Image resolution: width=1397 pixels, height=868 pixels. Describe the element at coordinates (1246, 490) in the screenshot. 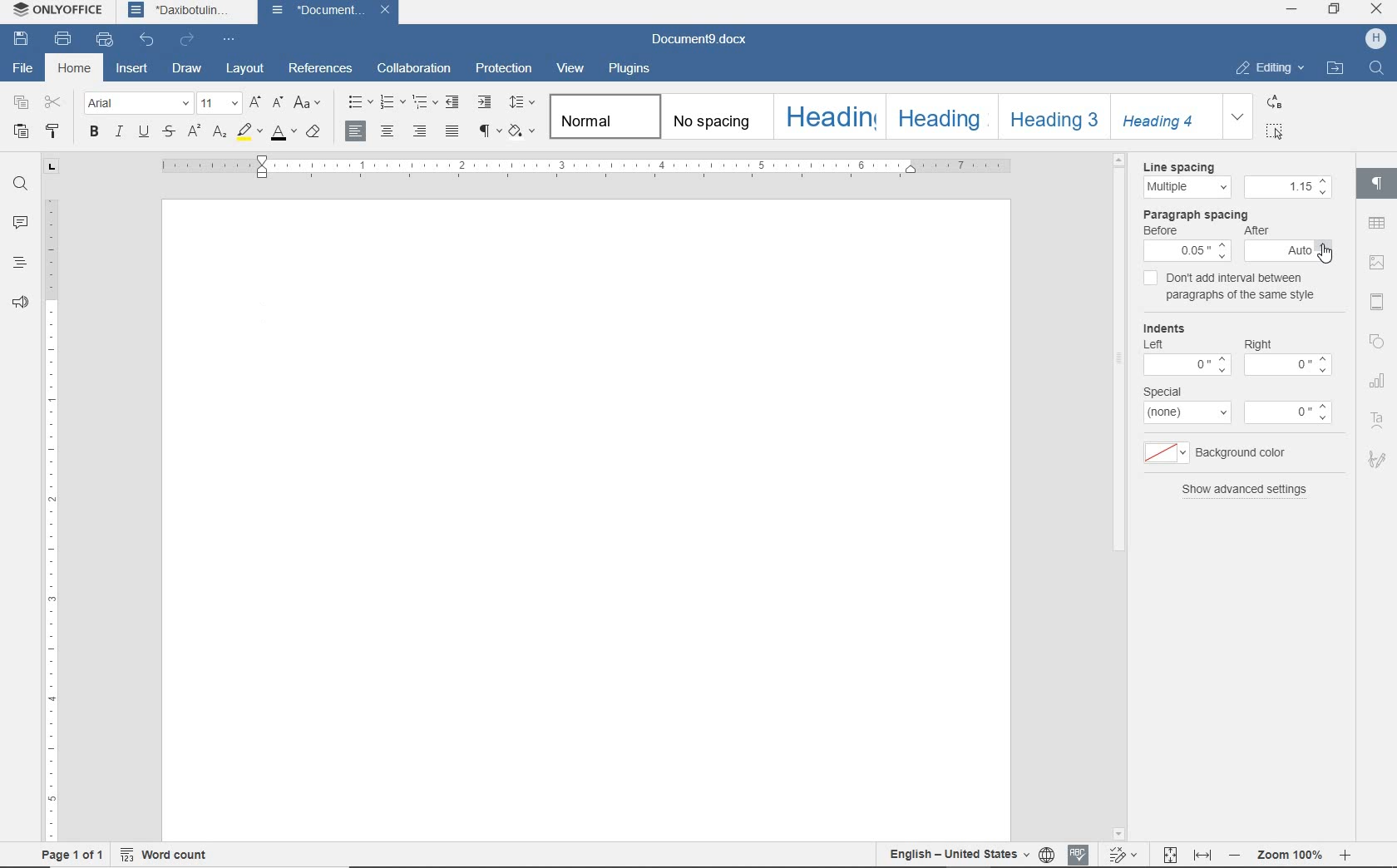

I see `show advanced settings` at that location.